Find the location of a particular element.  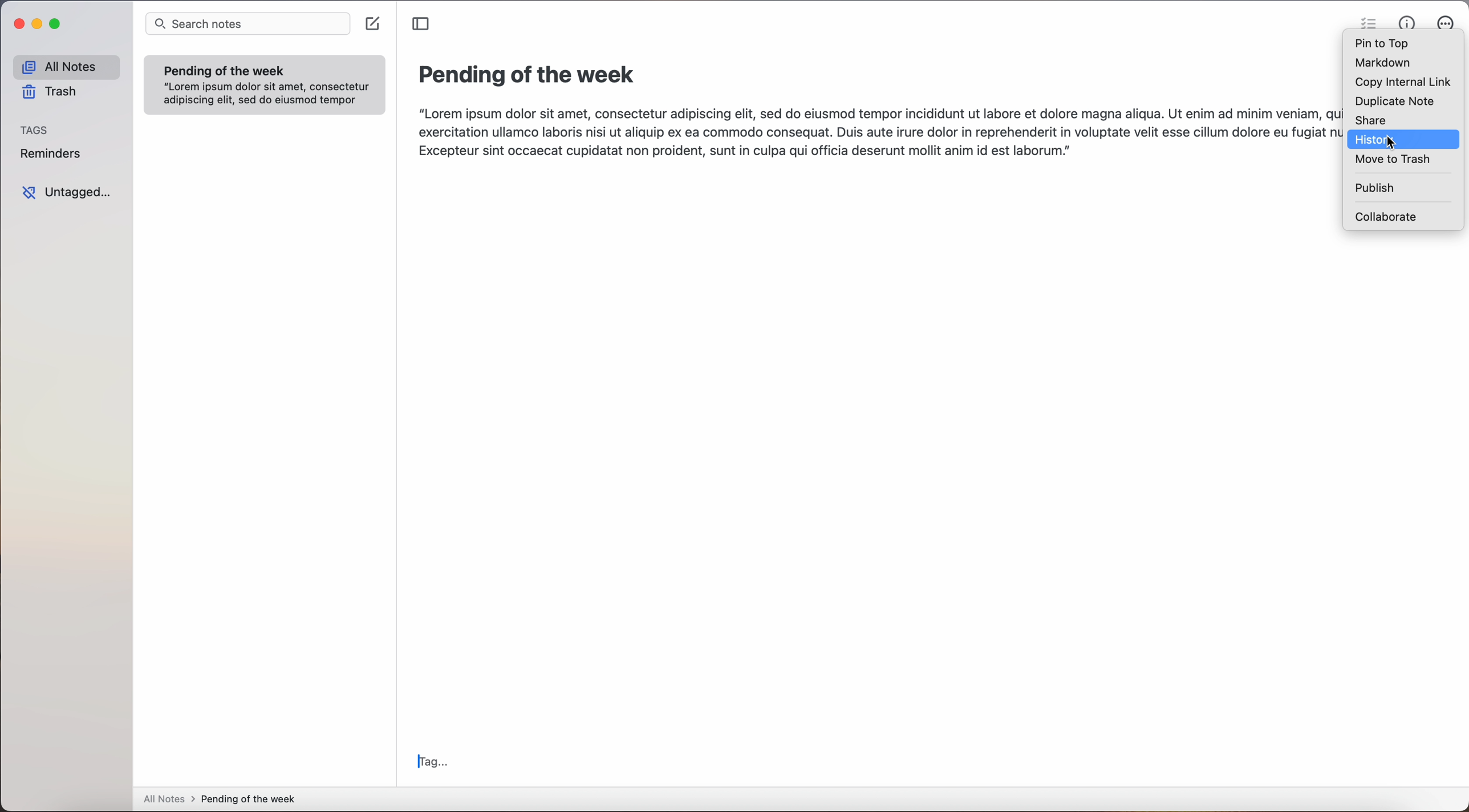

markdown is located at coordinates (1385, 63).